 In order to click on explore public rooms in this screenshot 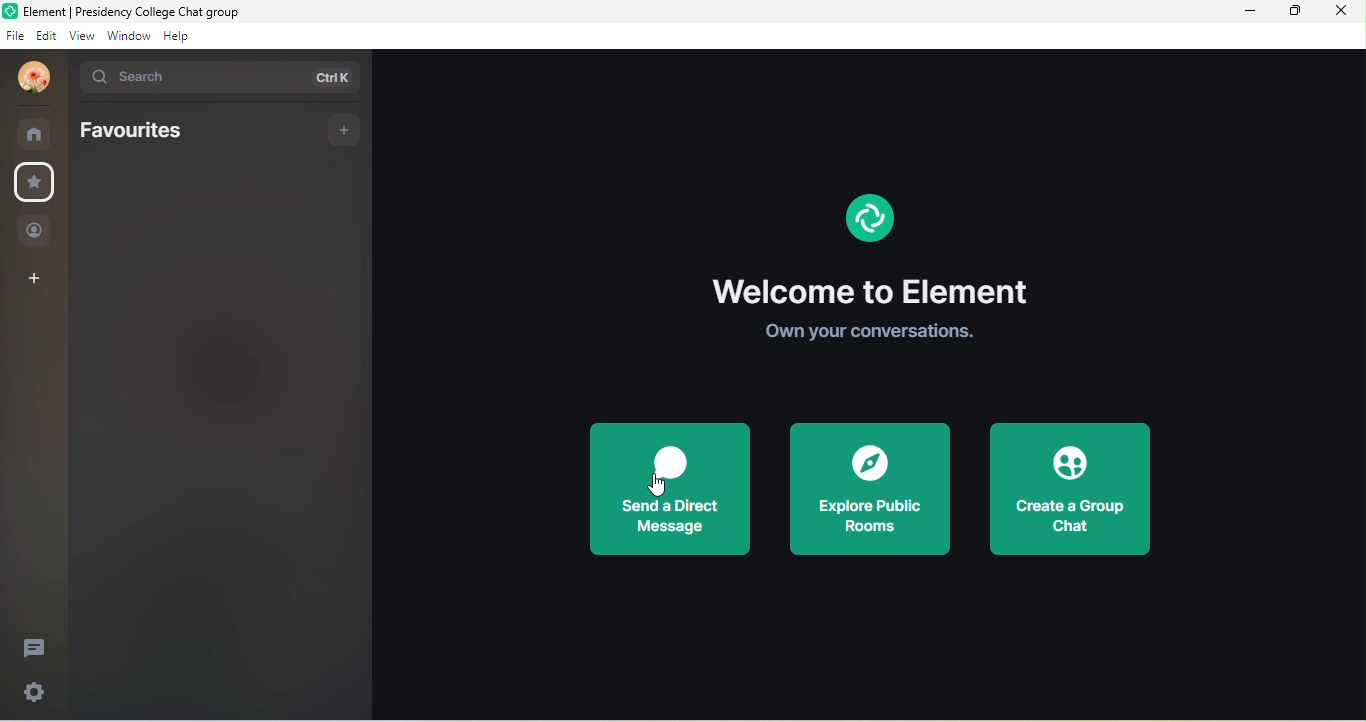, I will do `click(870, 490)`.